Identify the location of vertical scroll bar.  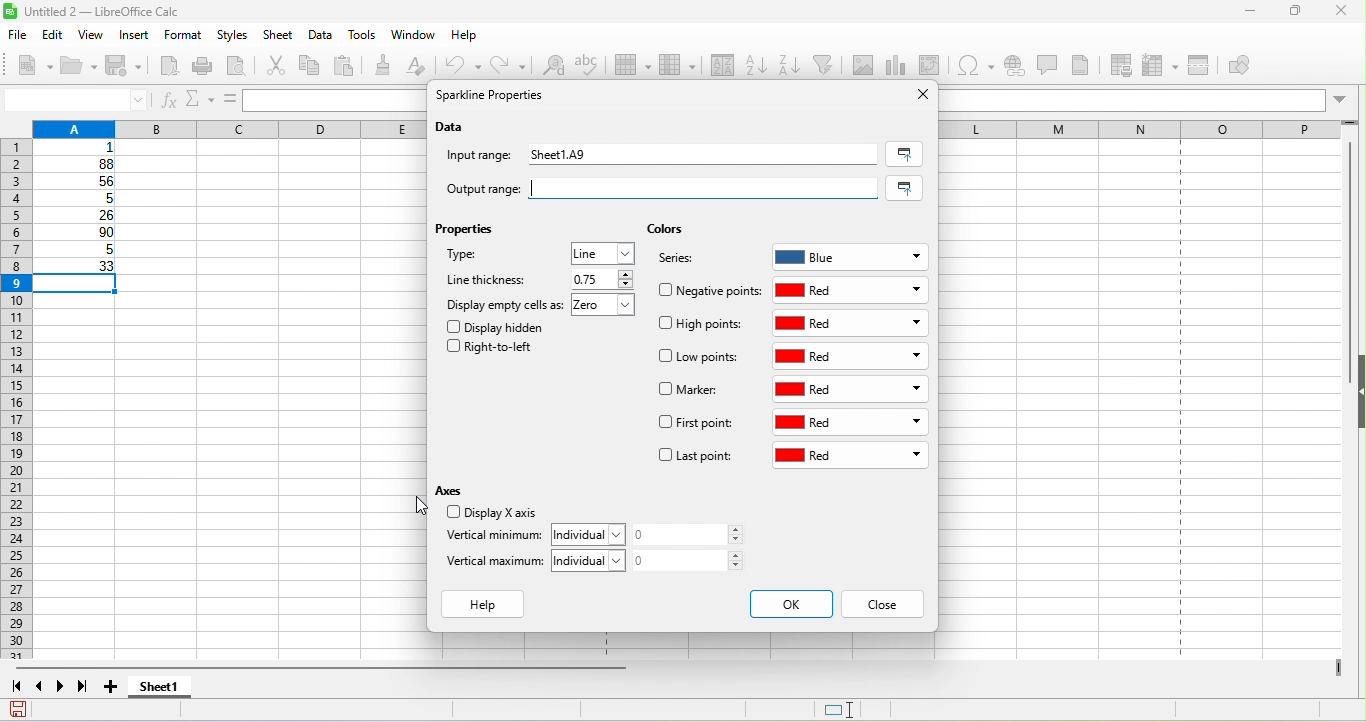
(1346, 262).